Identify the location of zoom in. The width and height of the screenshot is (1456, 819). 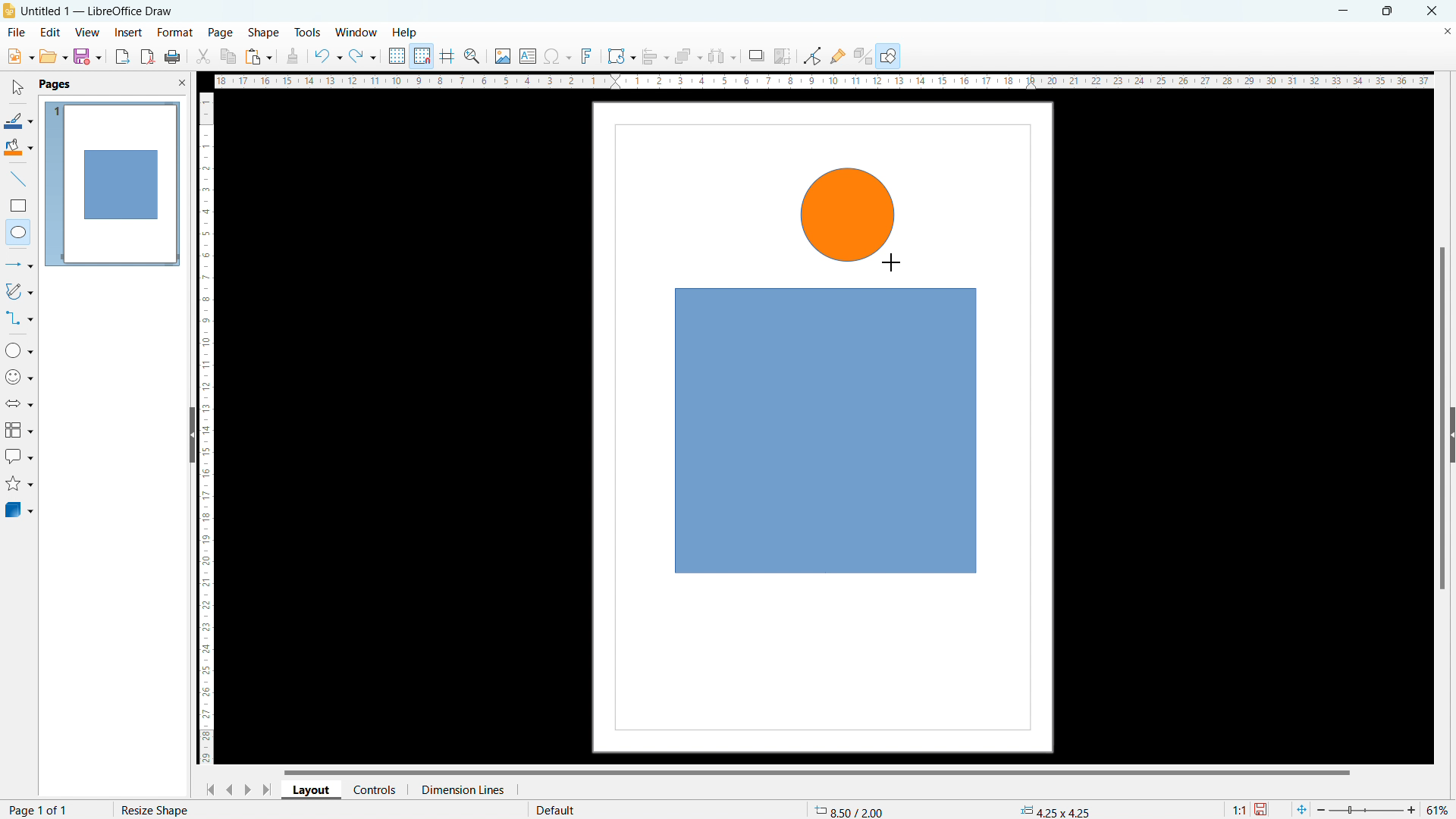
(1412, 808).